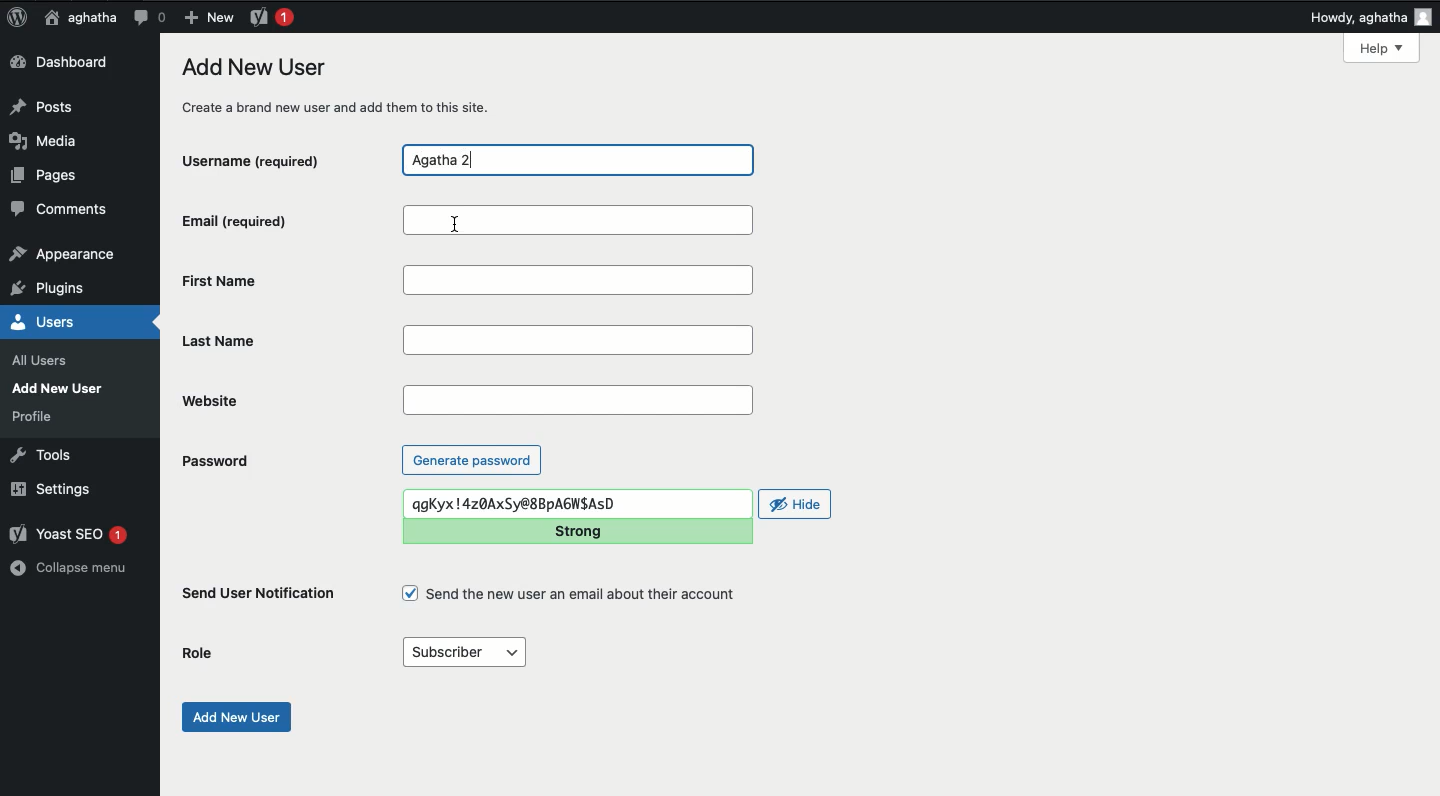  Describe the element at coordinates (270, 16) in the screenshot. I see `Yoast` at that location.